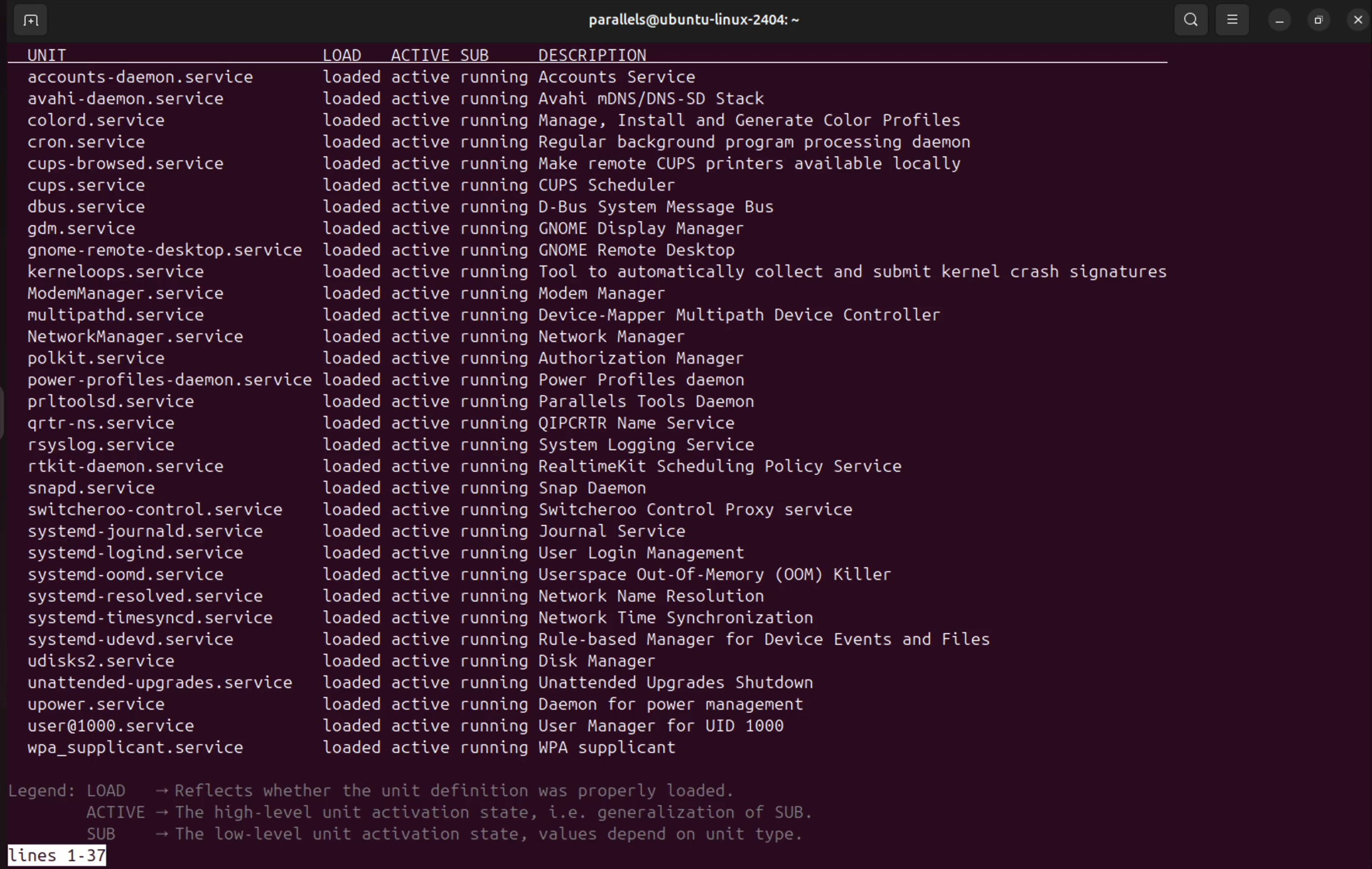 Image resolution: width=1372 pixels, height=869 pixels. I want to click on systemf-logind service, so click(149, 556).